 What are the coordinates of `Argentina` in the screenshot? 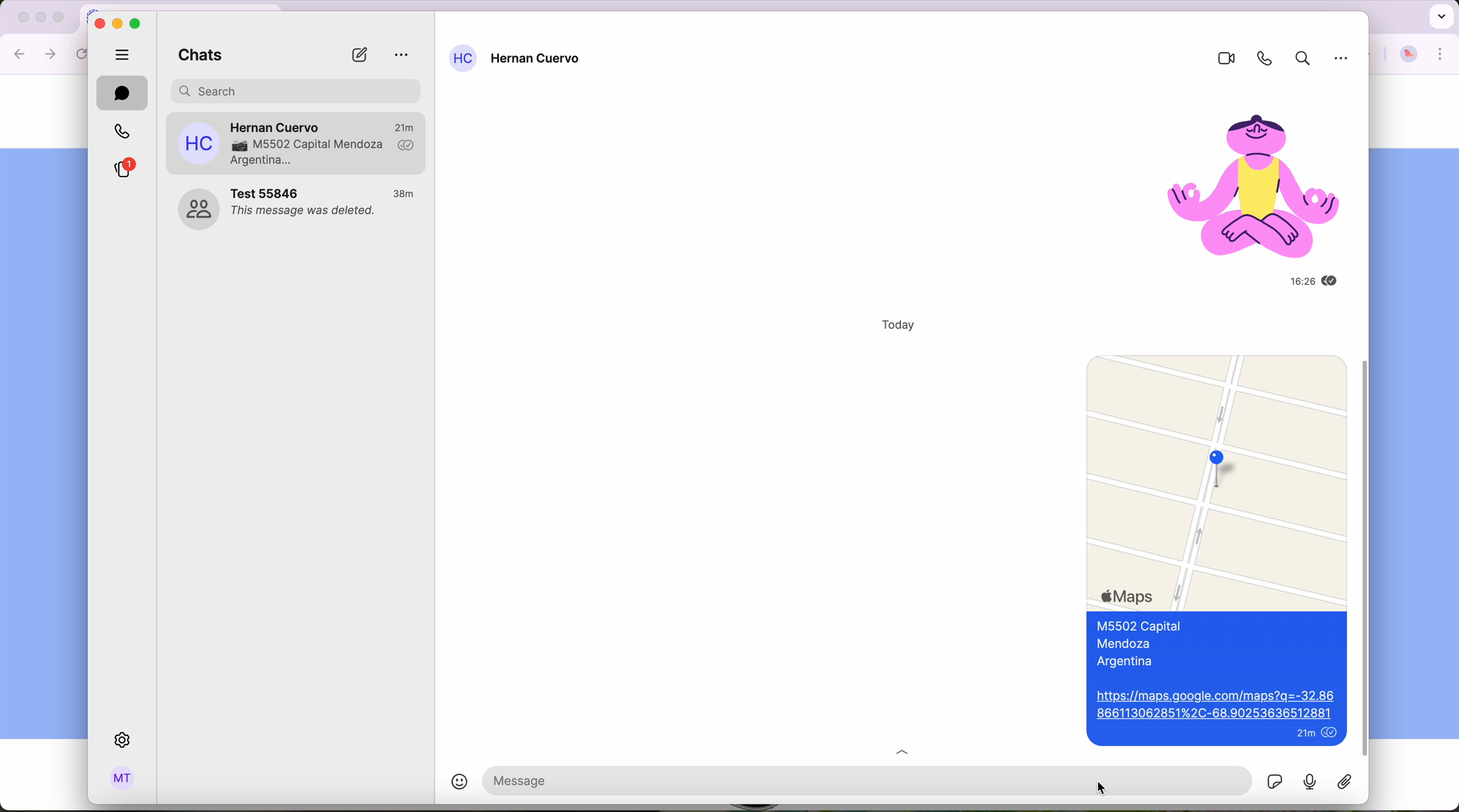 It's located at (1129, 663).